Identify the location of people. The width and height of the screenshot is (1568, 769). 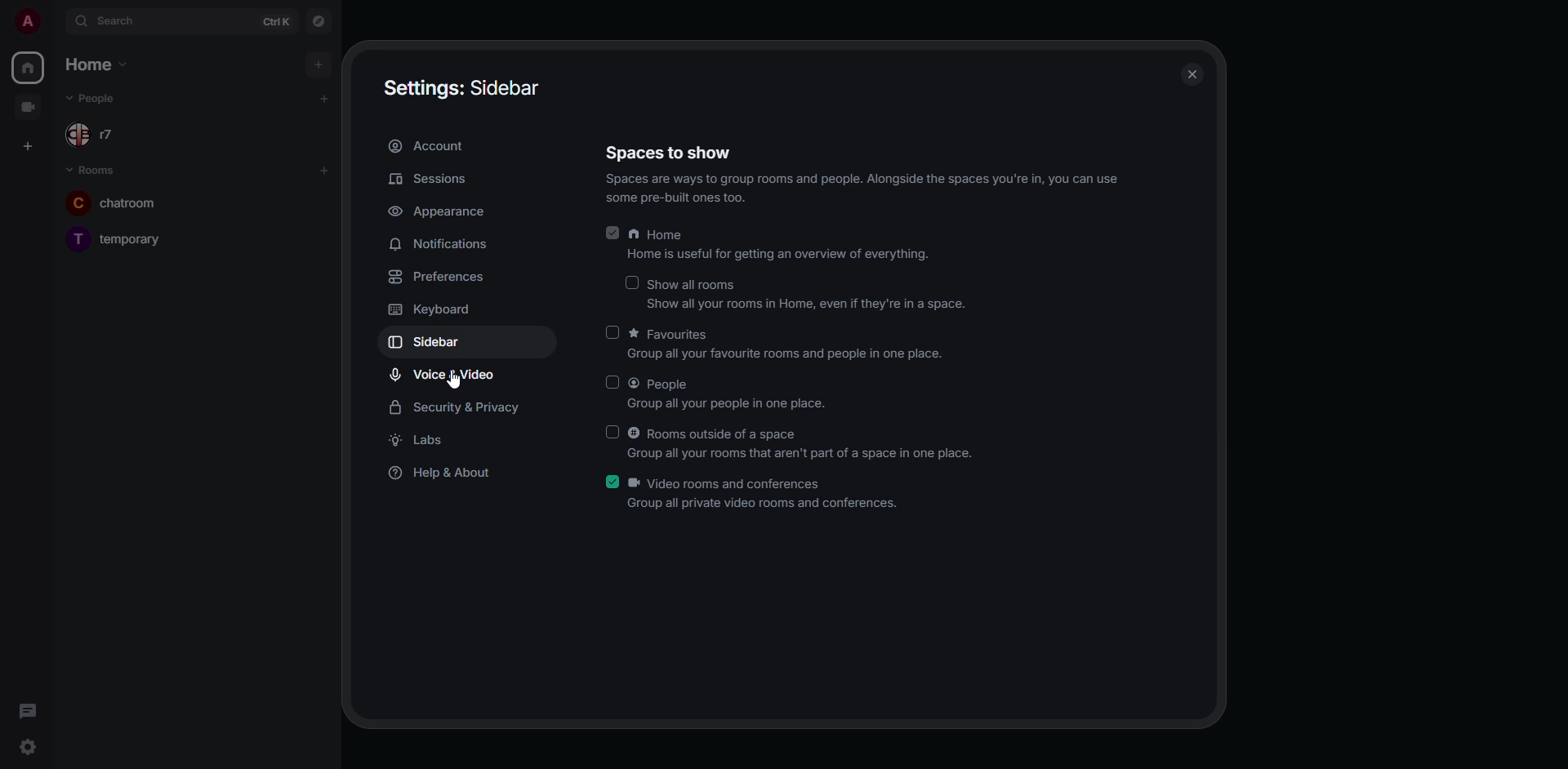
(728, 393).